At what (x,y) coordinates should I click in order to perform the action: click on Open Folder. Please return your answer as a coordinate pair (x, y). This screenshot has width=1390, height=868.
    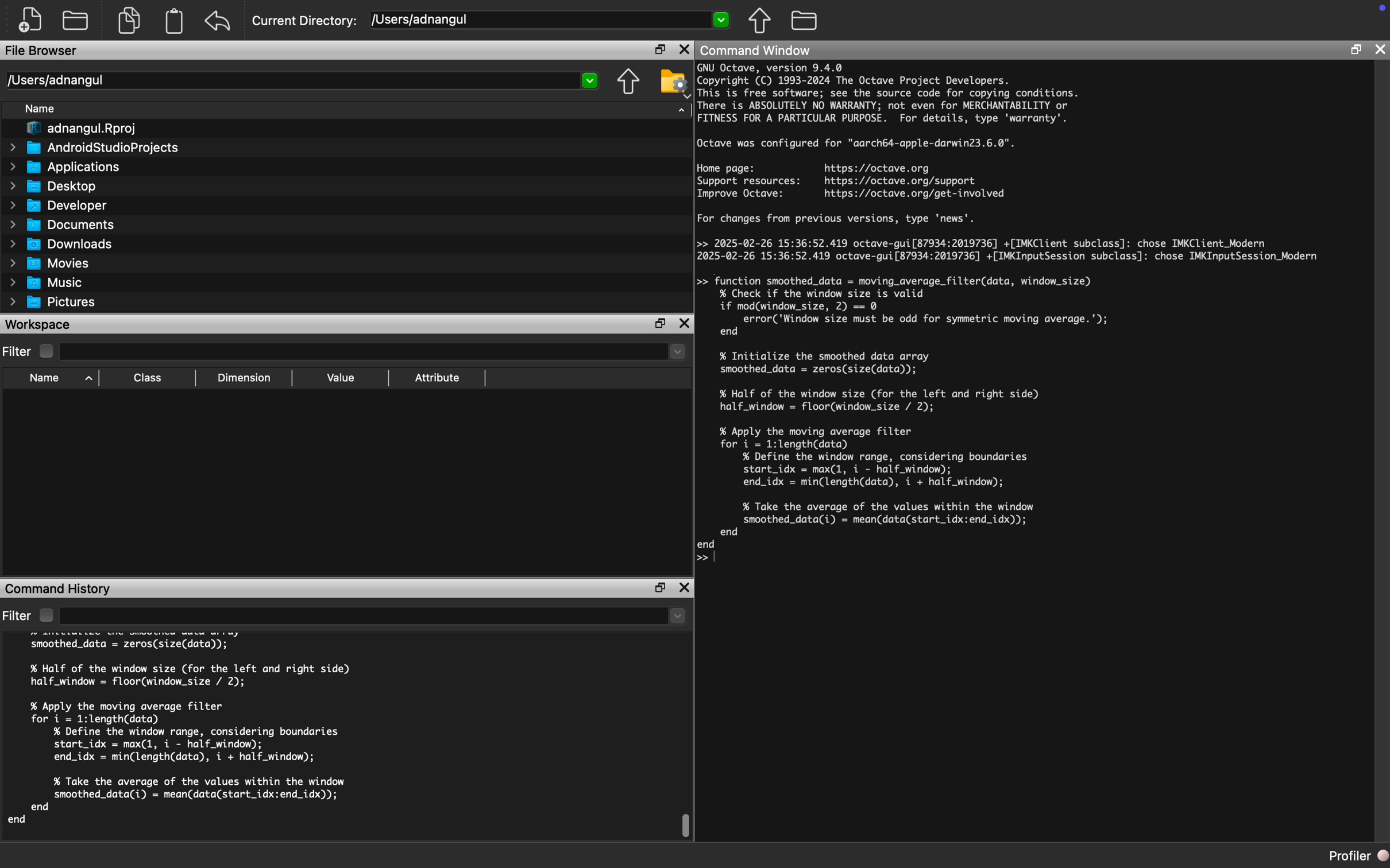
    Looking at the image, I should click on (77, 21).